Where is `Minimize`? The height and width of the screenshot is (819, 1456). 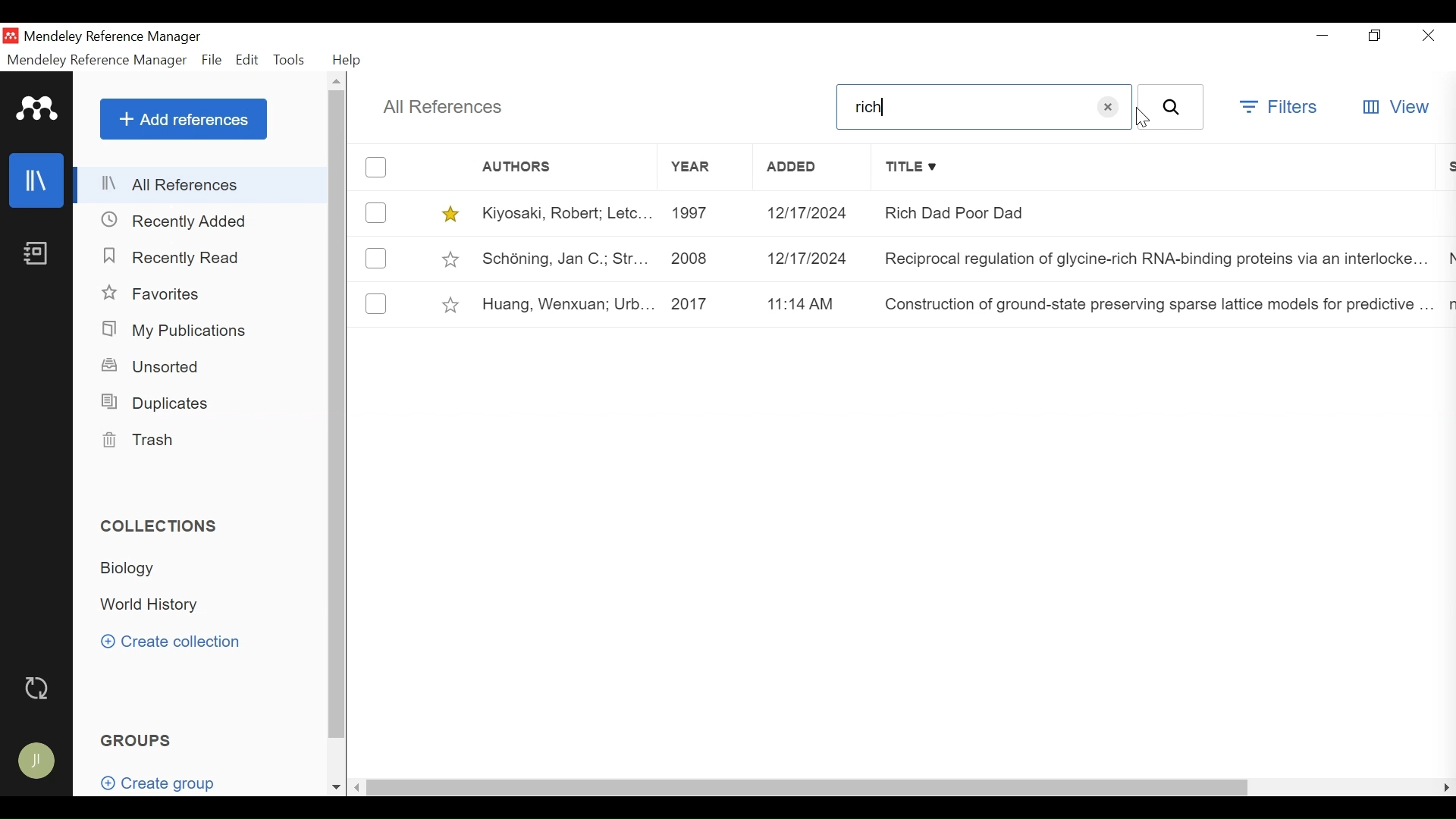
Minimize is located at coordinates (1326, 36).